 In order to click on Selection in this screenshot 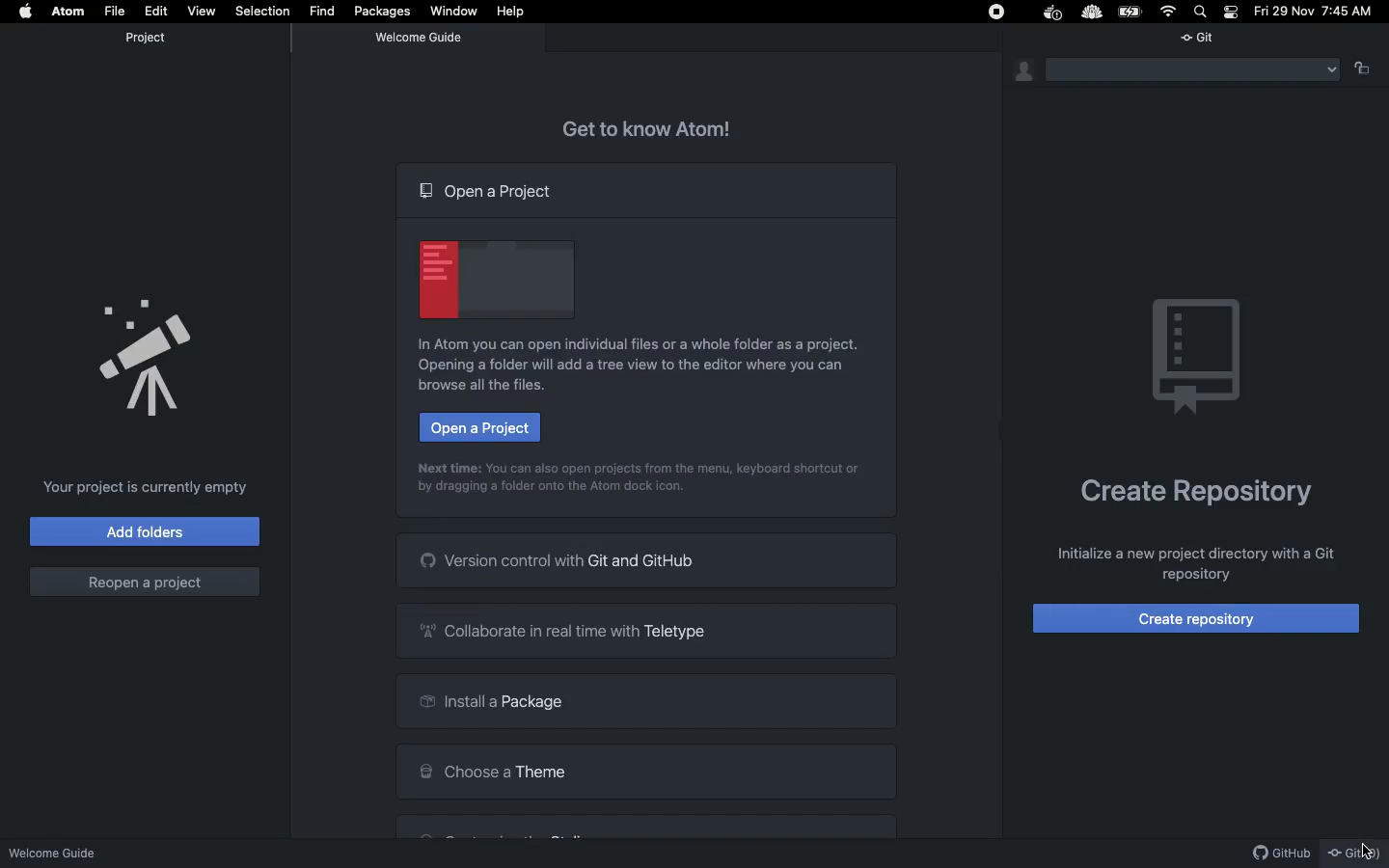, I will do `click(262, 9)`.